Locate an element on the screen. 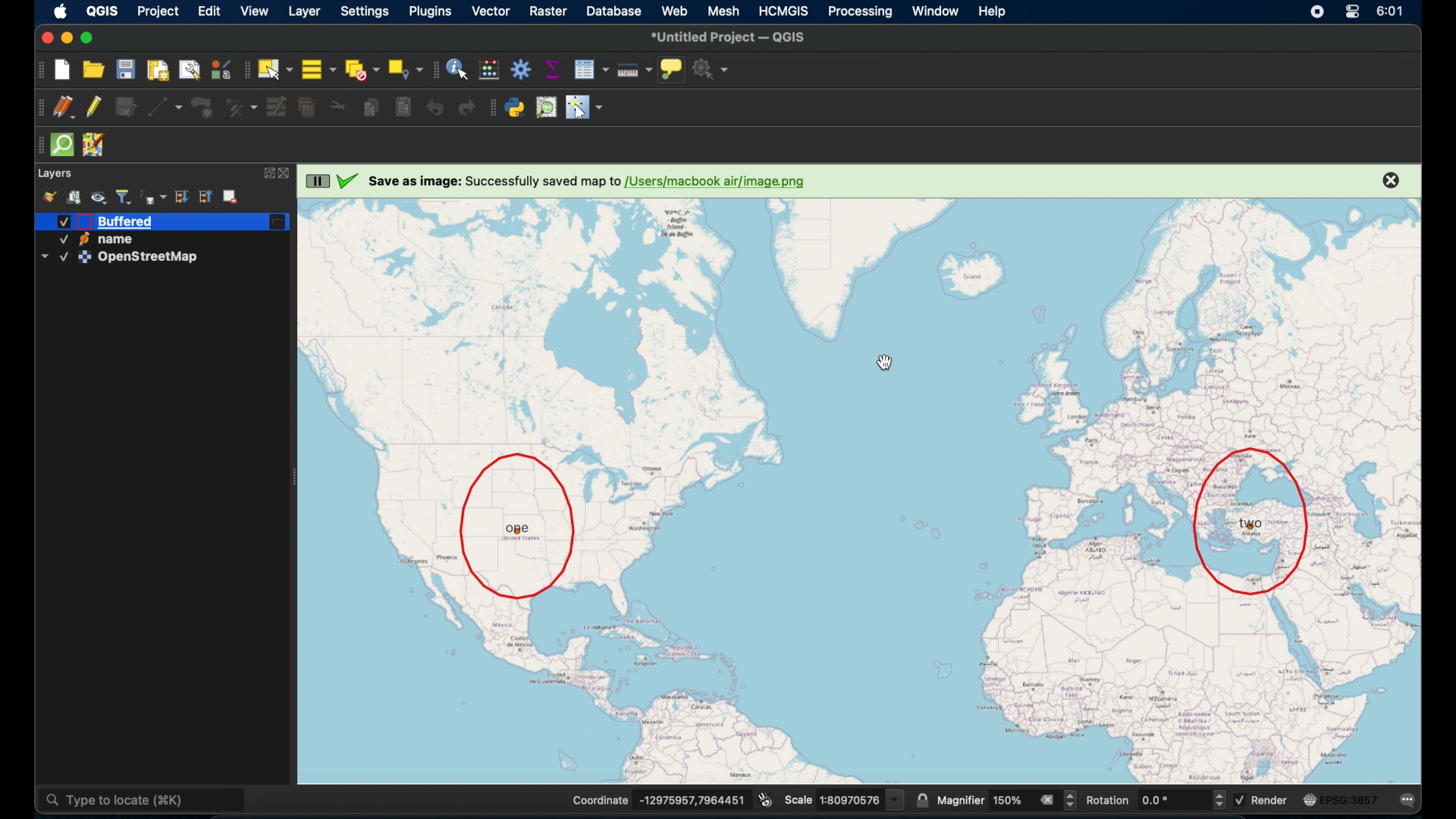  openstreetmap layout with feature is located at coordinates (859, 494).